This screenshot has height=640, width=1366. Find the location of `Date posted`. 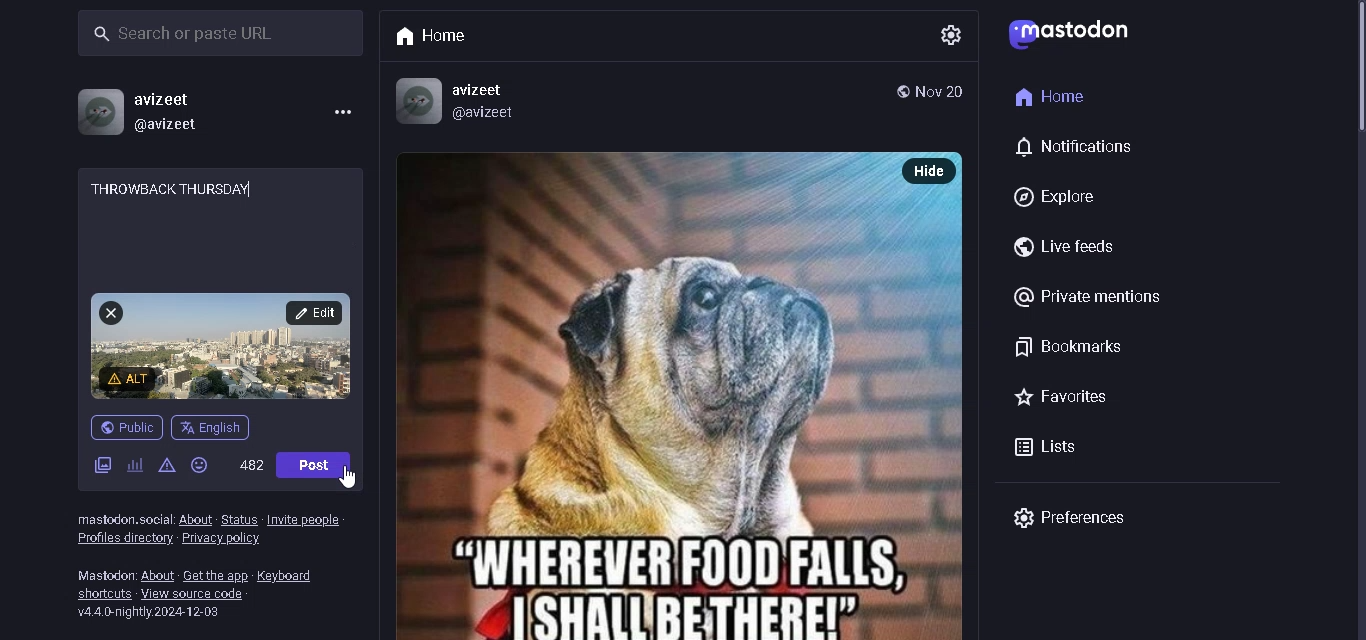

Date posted is located at coordinates (938, 91).